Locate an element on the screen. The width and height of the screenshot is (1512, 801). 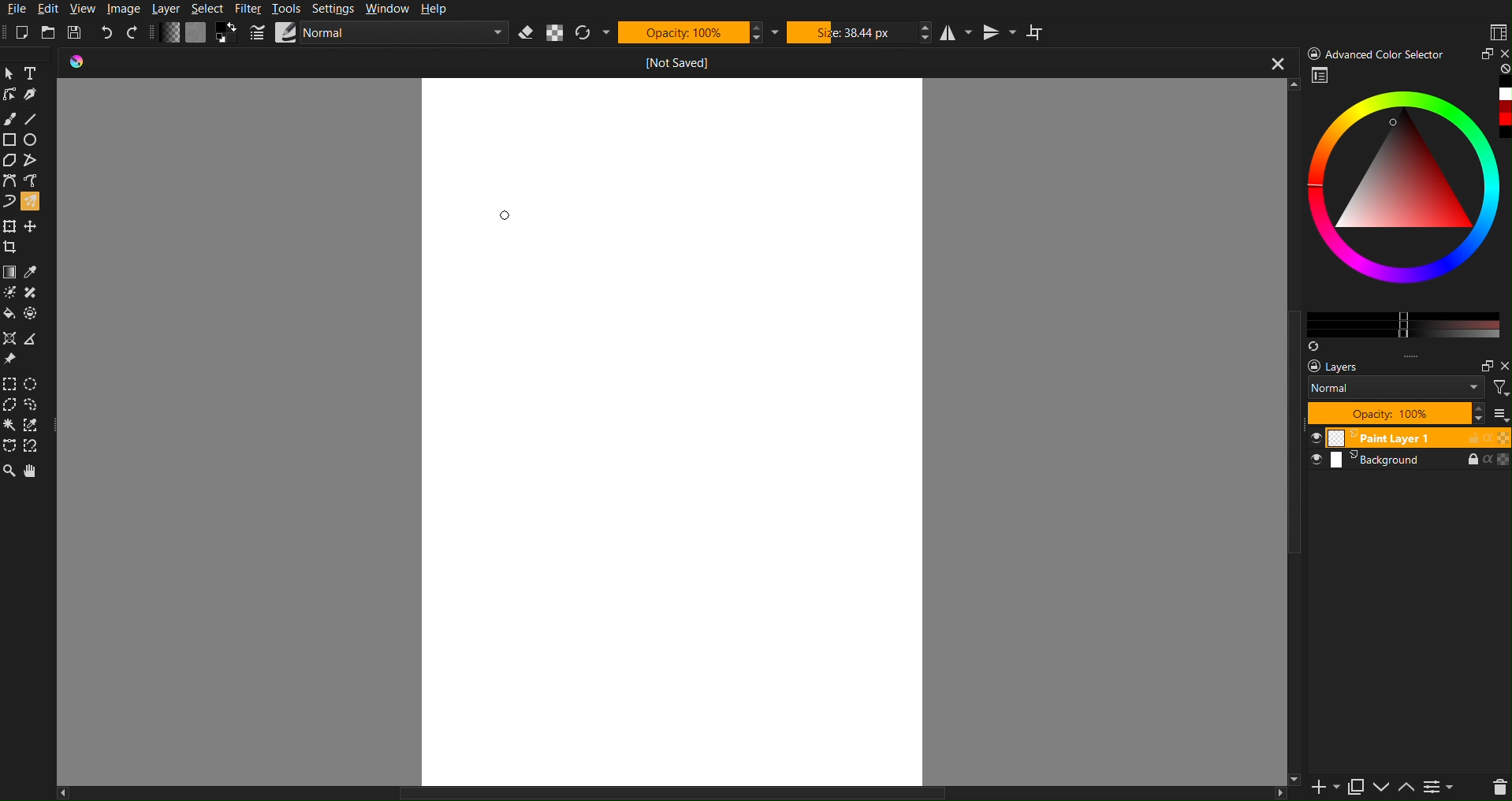
Swap background and foreground is located at coordinates (229, 32).